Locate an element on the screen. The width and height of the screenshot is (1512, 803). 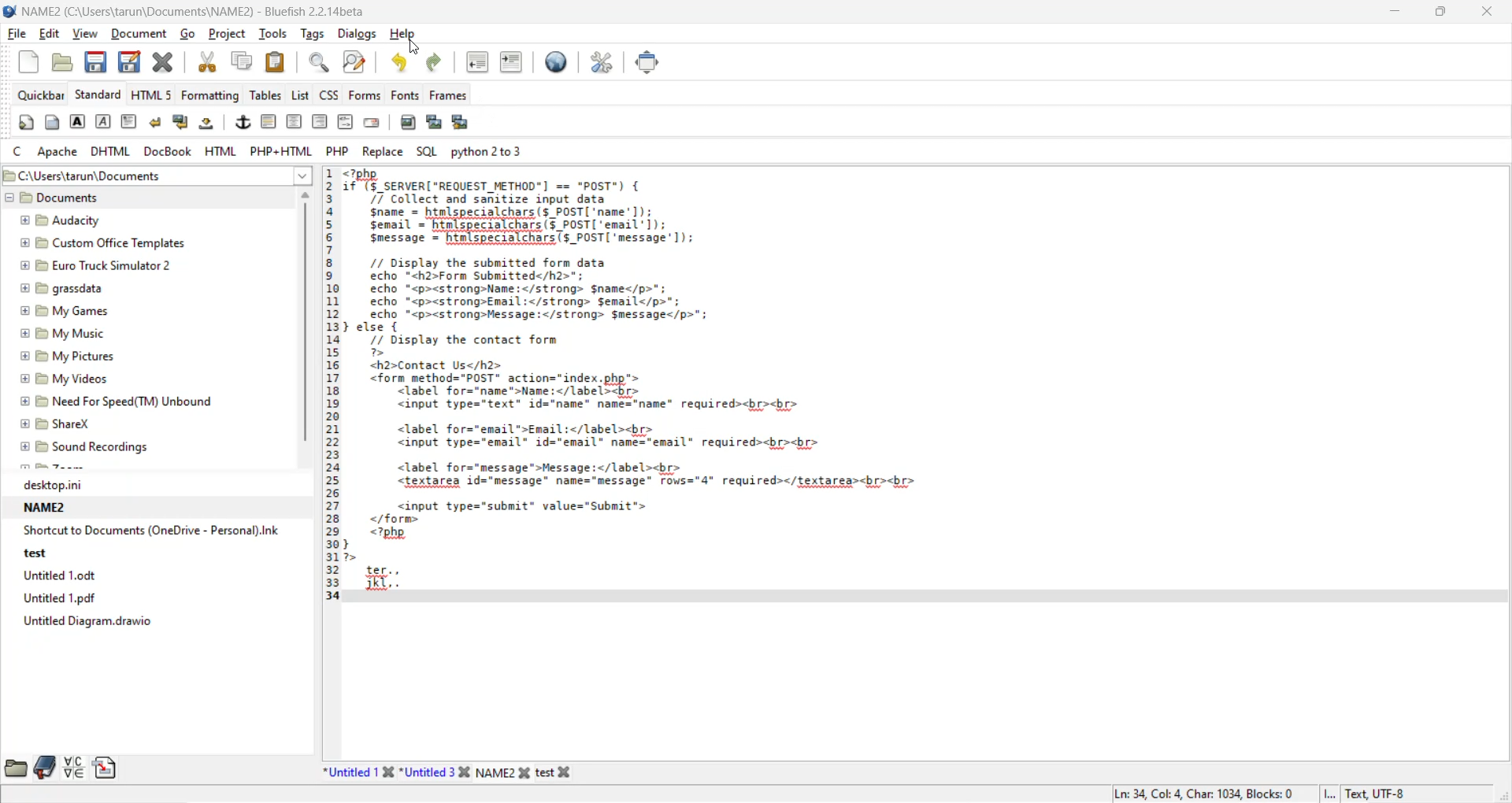
Untitled Diagram. draws is located at coordinates (75, 624).